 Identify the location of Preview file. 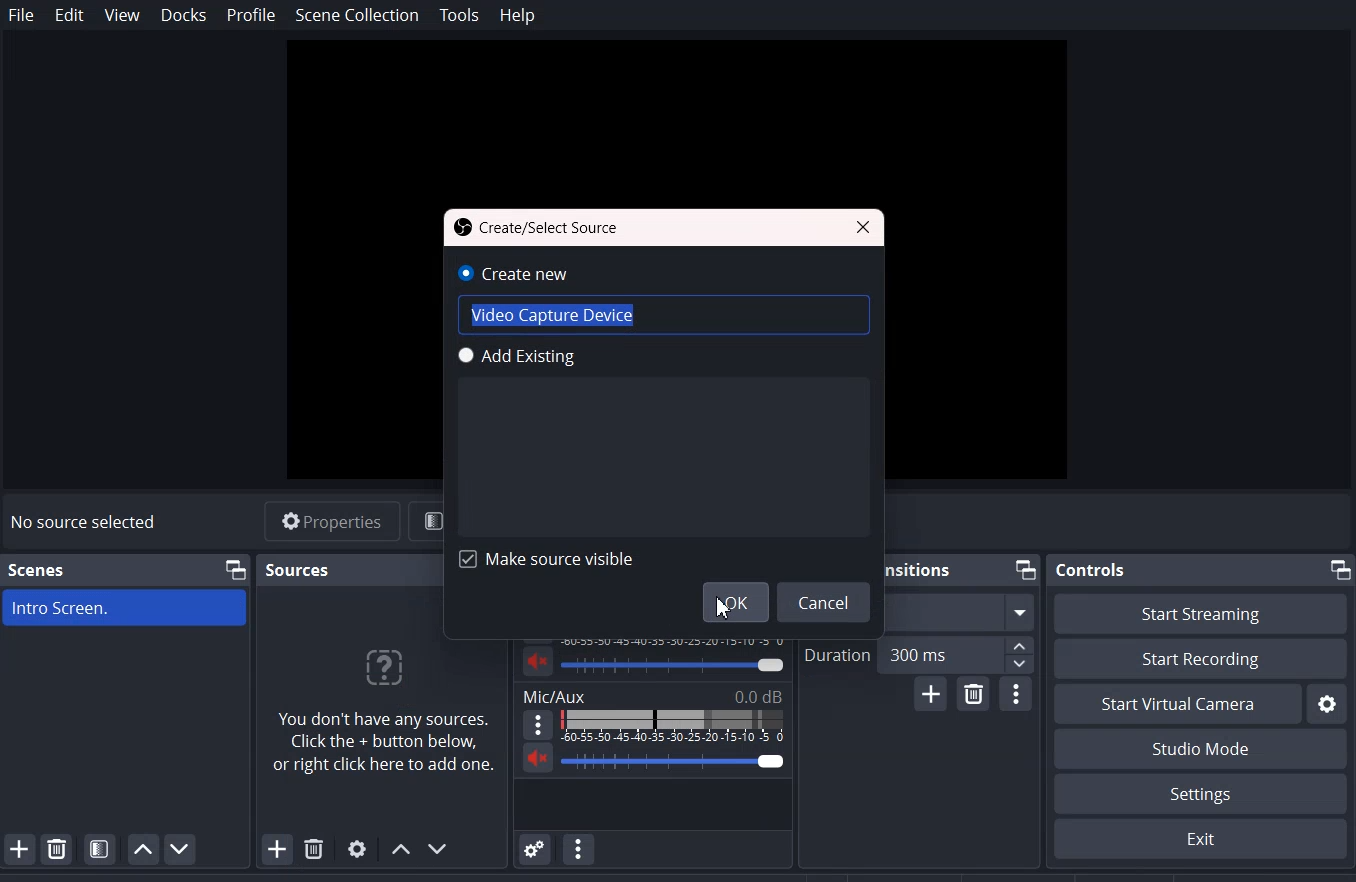
(682, 120).